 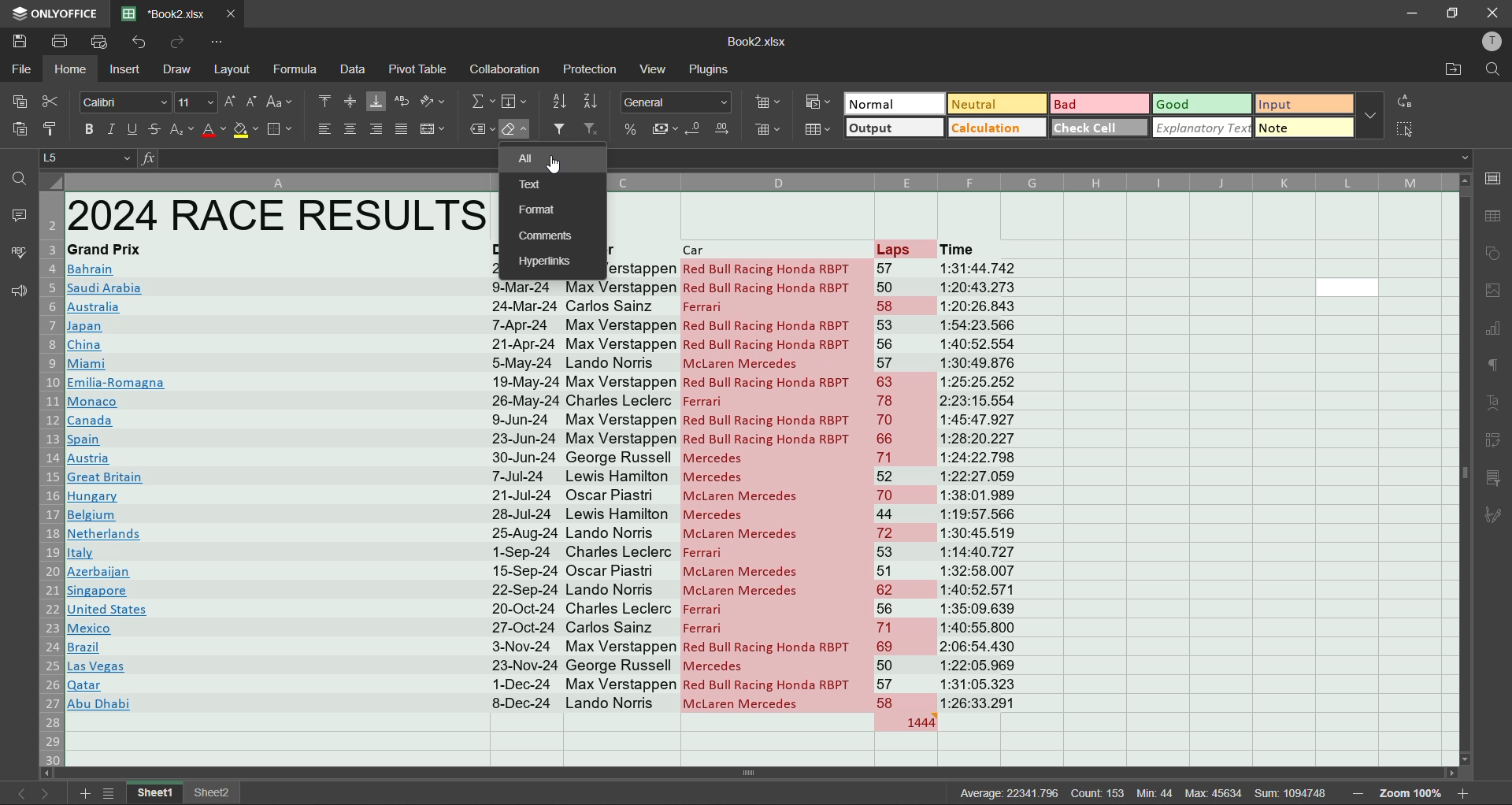 What do you see at coordinates (564, 102) in the screenshot?
I see `sort ascending` at bounding box center [564, 102].